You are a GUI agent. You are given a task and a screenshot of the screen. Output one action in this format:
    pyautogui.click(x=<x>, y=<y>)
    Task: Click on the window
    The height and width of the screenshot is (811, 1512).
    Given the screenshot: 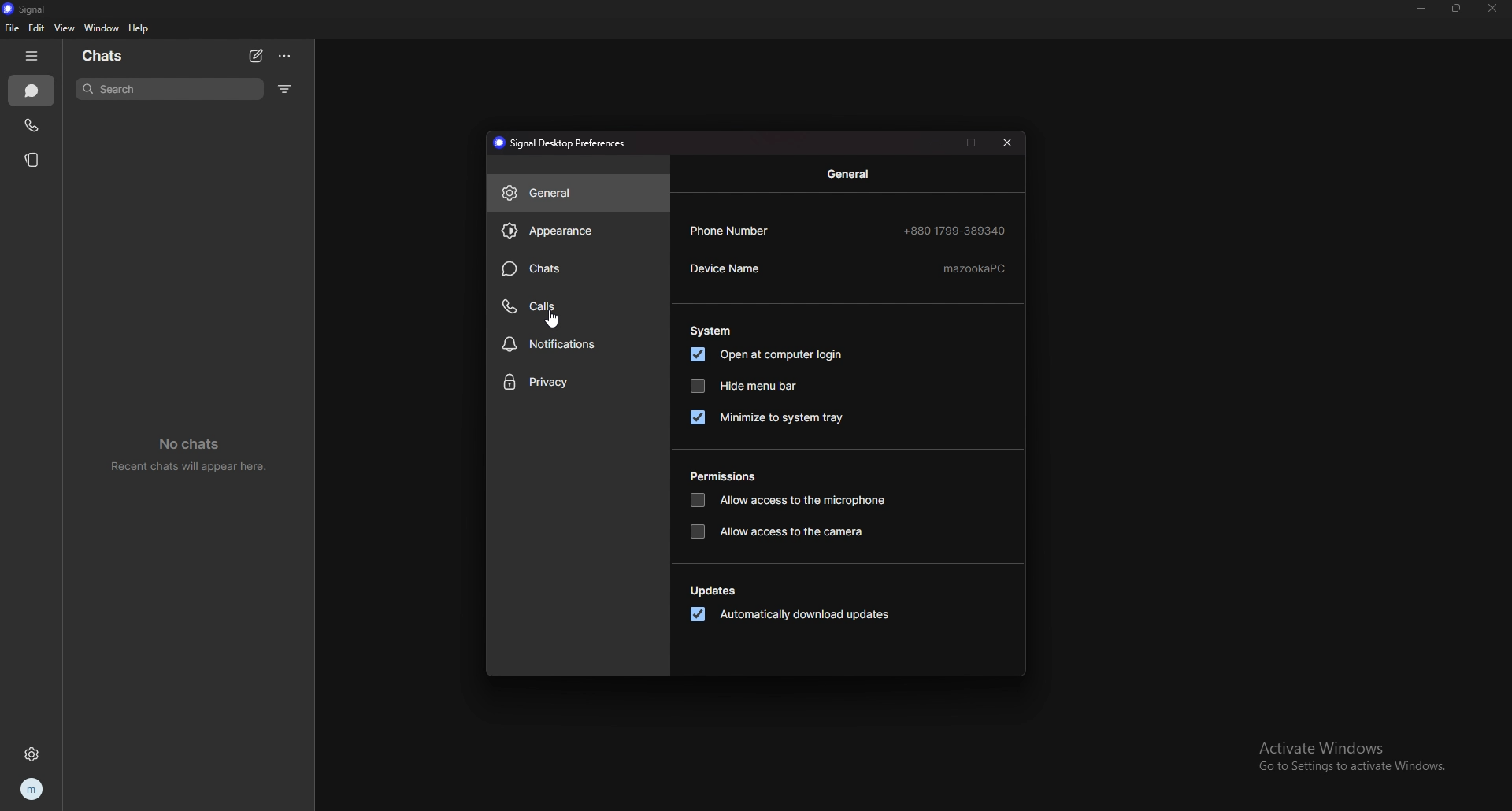 What is the action you would take?
    pyautogui.click(x=103, y=28)
    